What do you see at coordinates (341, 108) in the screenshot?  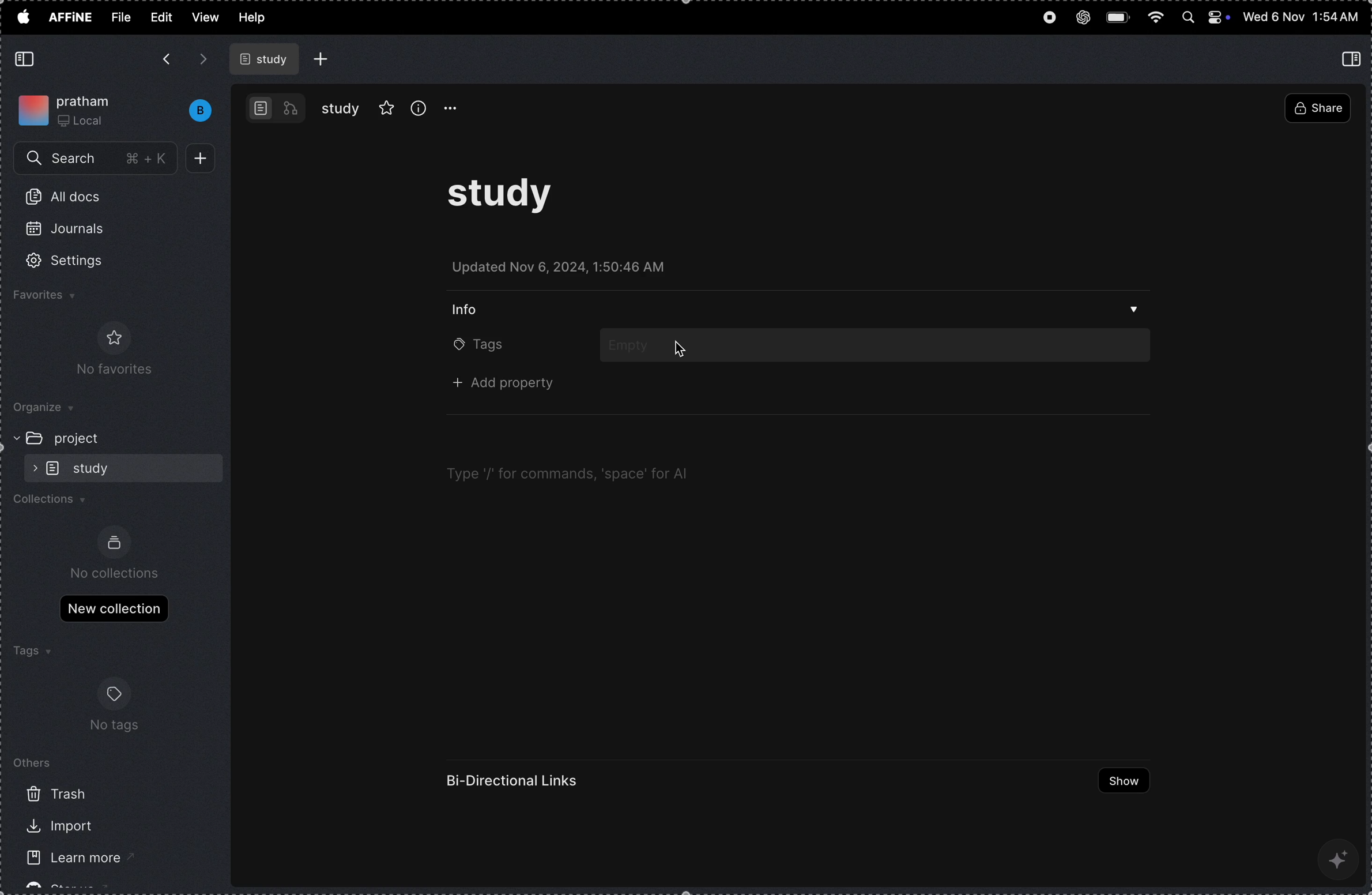 I see `study` at bounding box center [341, 108].